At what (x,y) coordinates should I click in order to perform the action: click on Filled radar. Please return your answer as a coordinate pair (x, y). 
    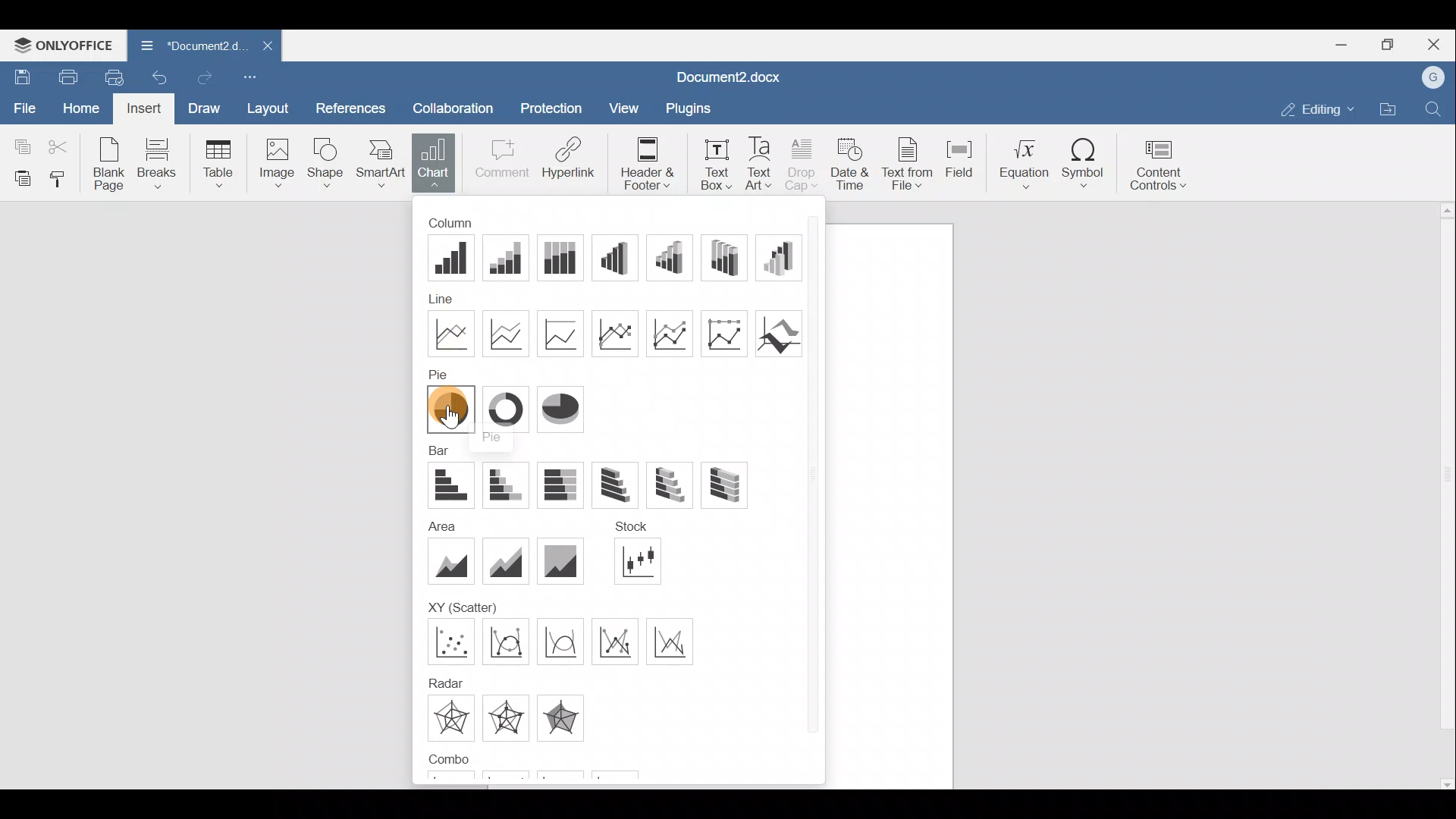
    Looking at the image, I should click on (506, 717).